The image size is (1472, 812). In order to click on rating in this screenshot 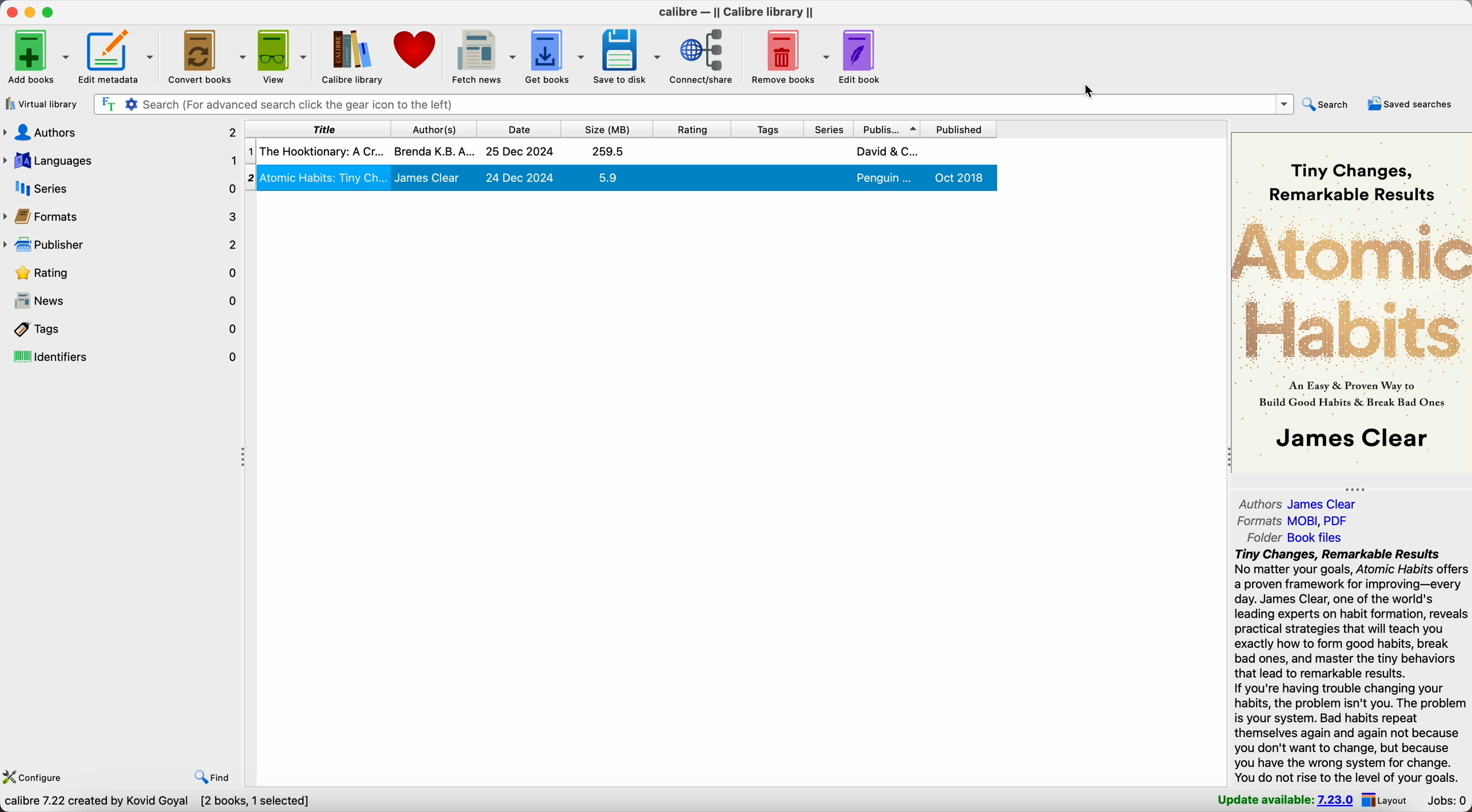, I will do `click(691, 127)`.